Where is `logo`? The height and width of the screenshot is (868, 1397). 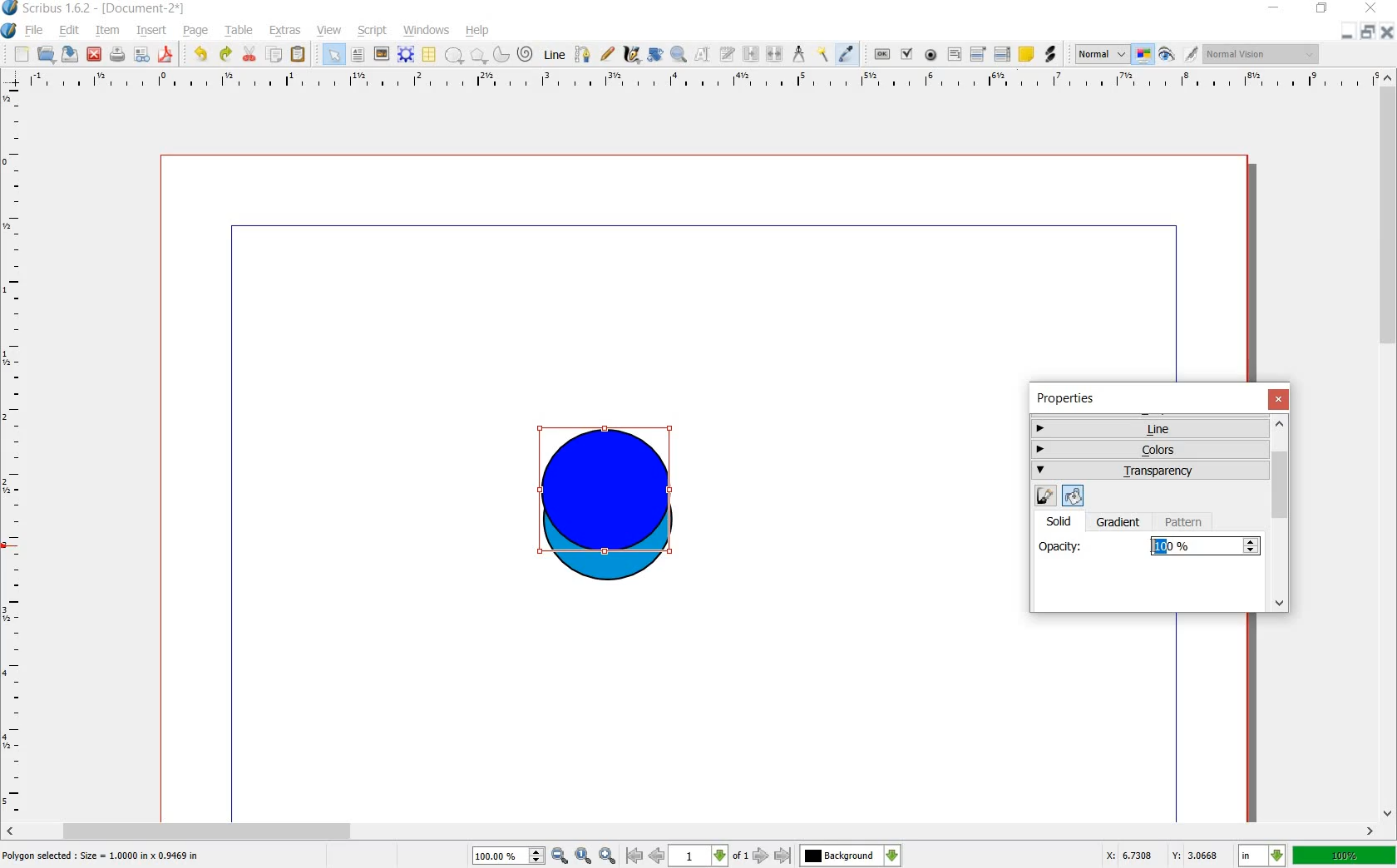
logo is located at coordinates (10, 7).